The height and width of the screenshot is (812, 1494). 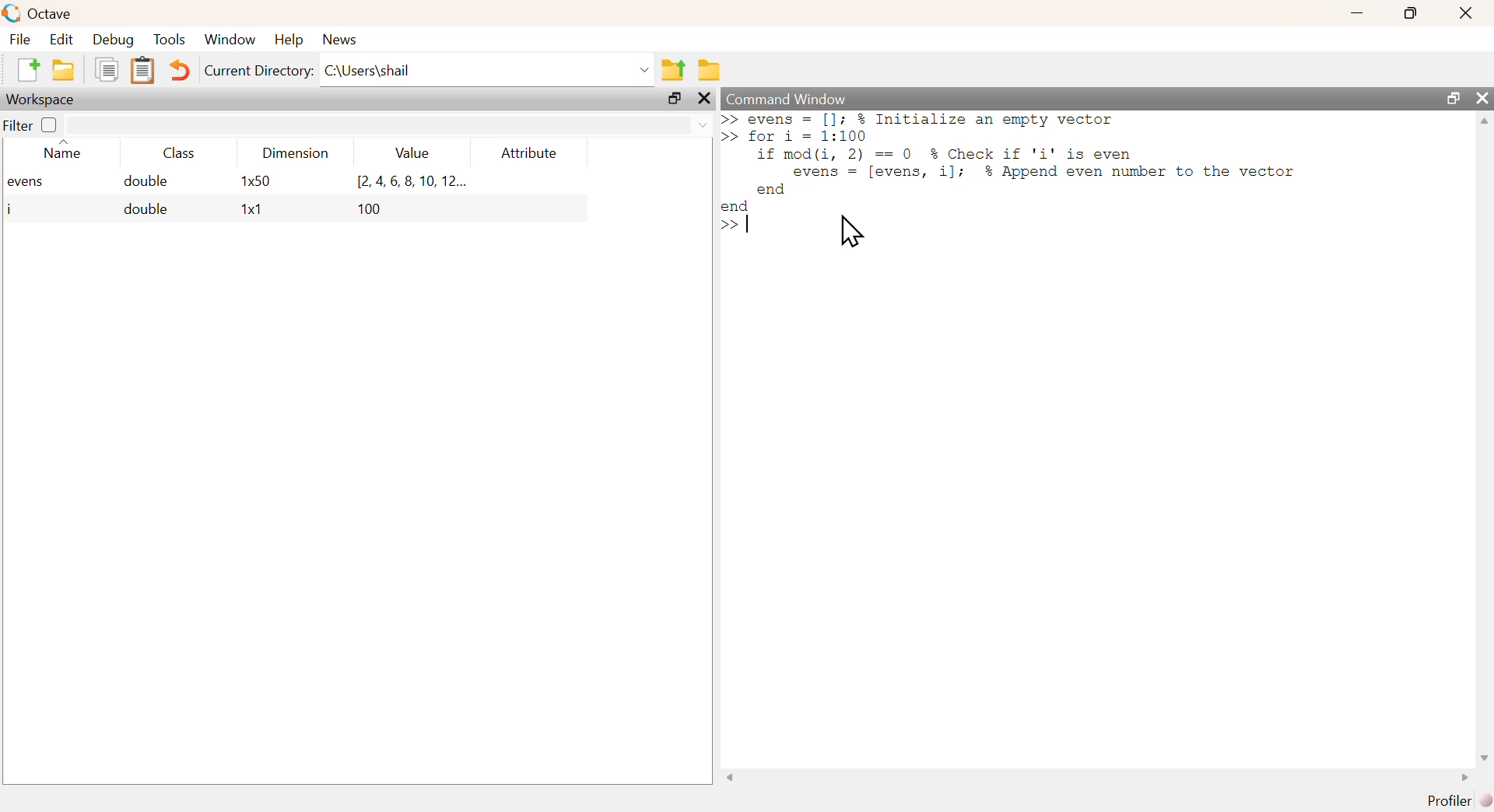 What do you see at coordinates (256, 182) in the screenshot?
I see `1x50` at bounding box center [256, 182].